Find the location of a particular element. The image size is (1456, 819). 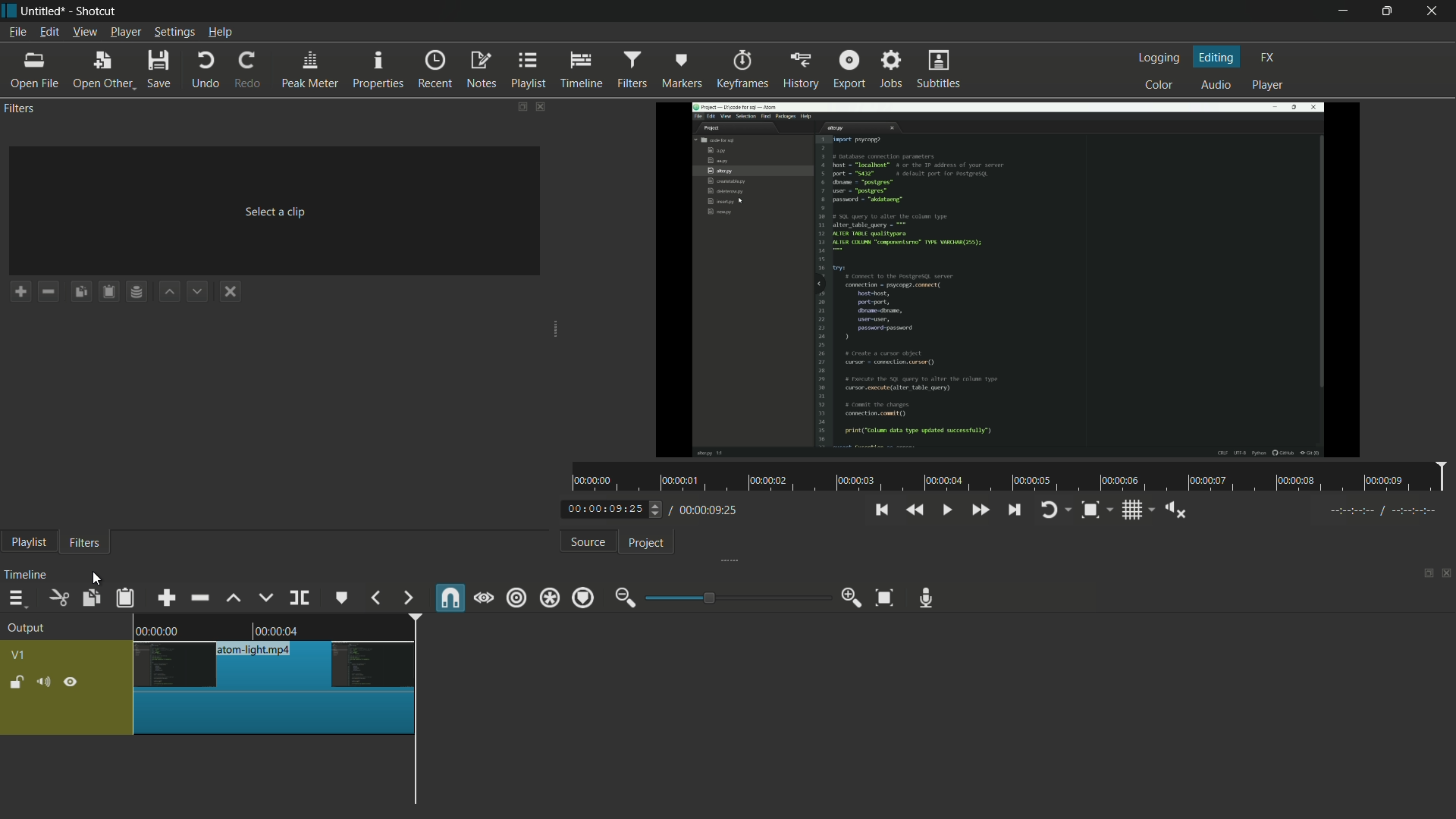

paste filters is located at coordinates (127, 598).